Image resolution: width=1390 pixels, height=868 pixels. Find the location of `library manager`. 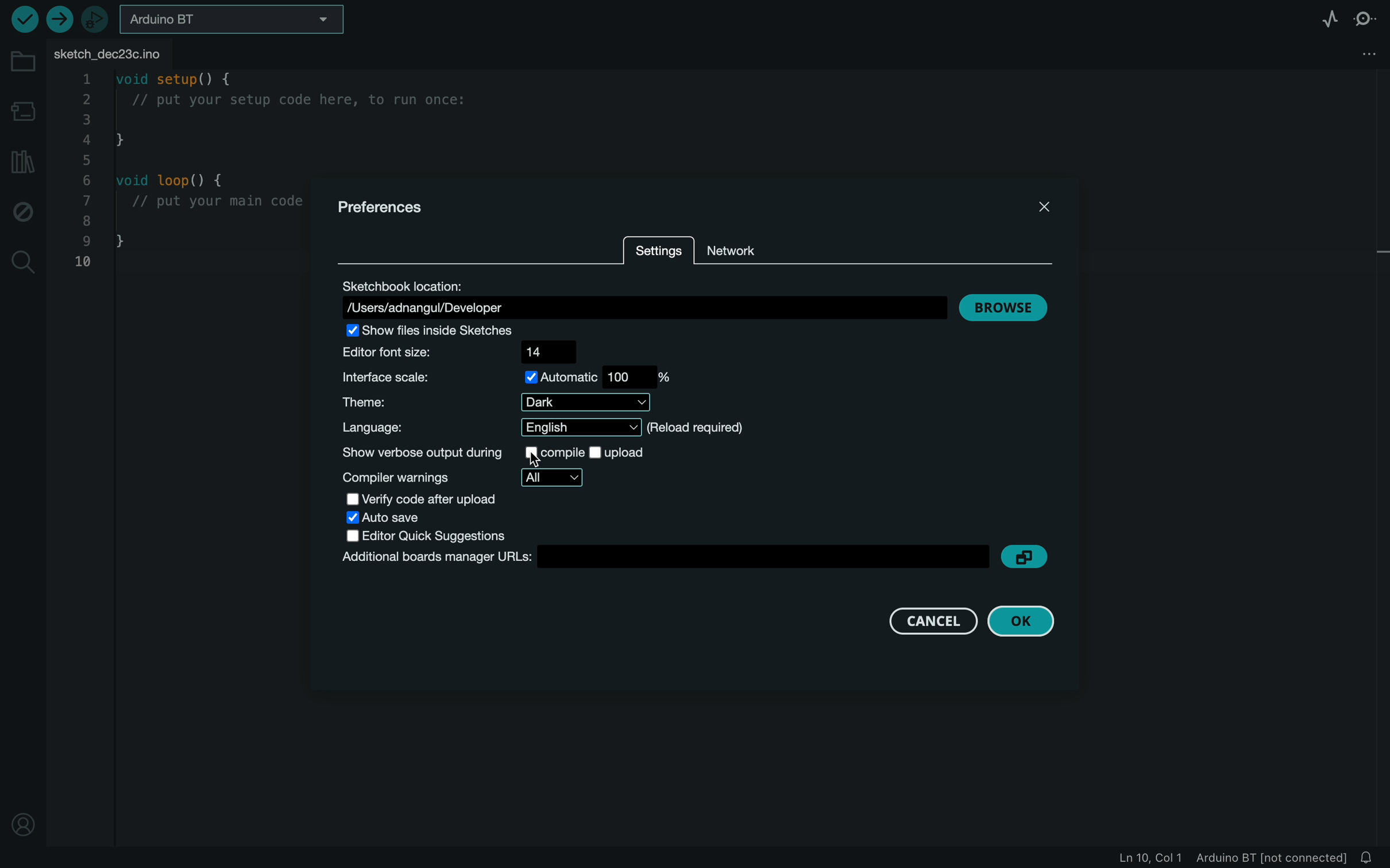

library manager is located at coordinates (23, 162).